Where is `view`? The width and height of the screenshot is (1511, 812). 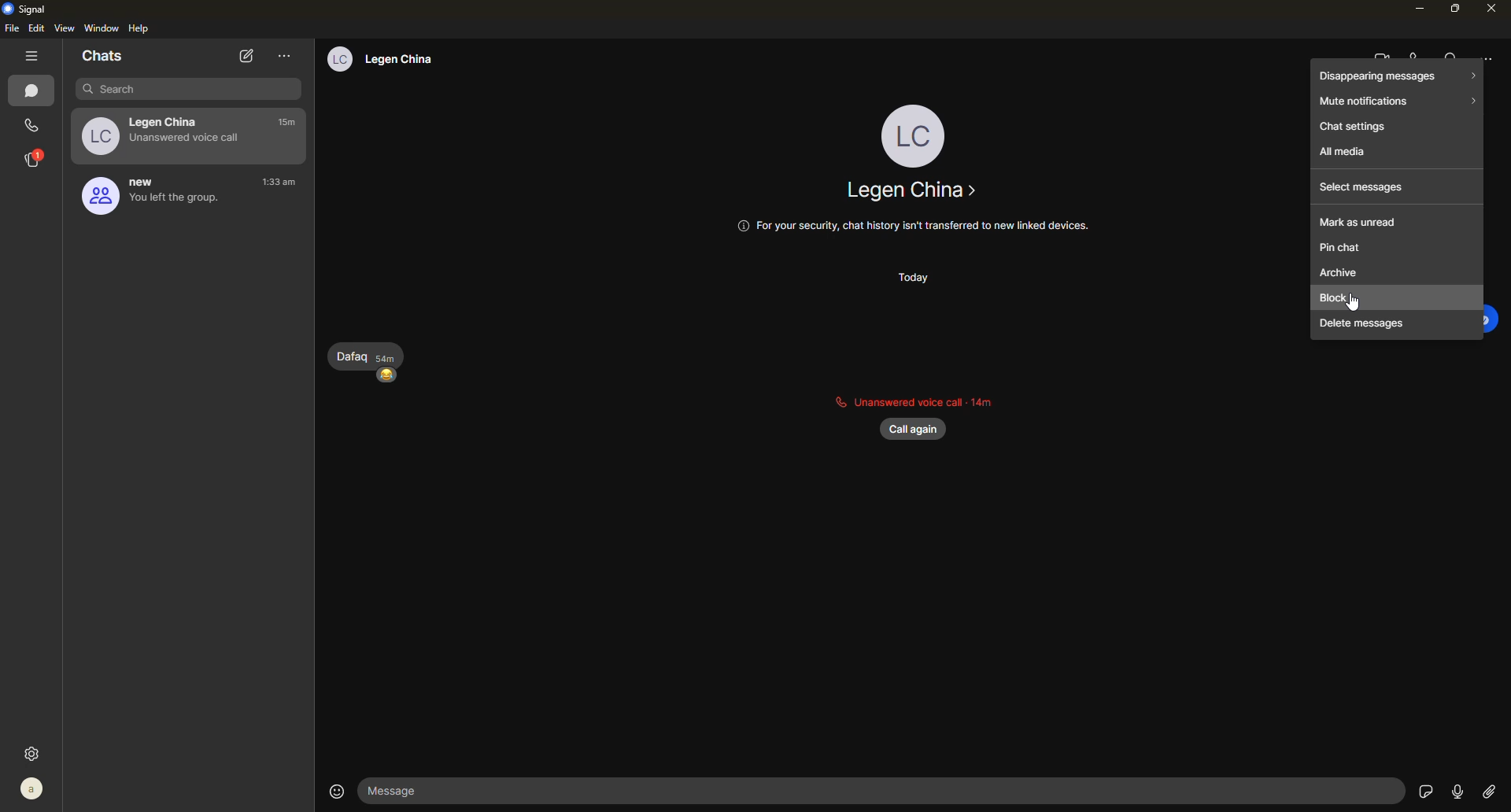 view is located at coordinates (66, 28).